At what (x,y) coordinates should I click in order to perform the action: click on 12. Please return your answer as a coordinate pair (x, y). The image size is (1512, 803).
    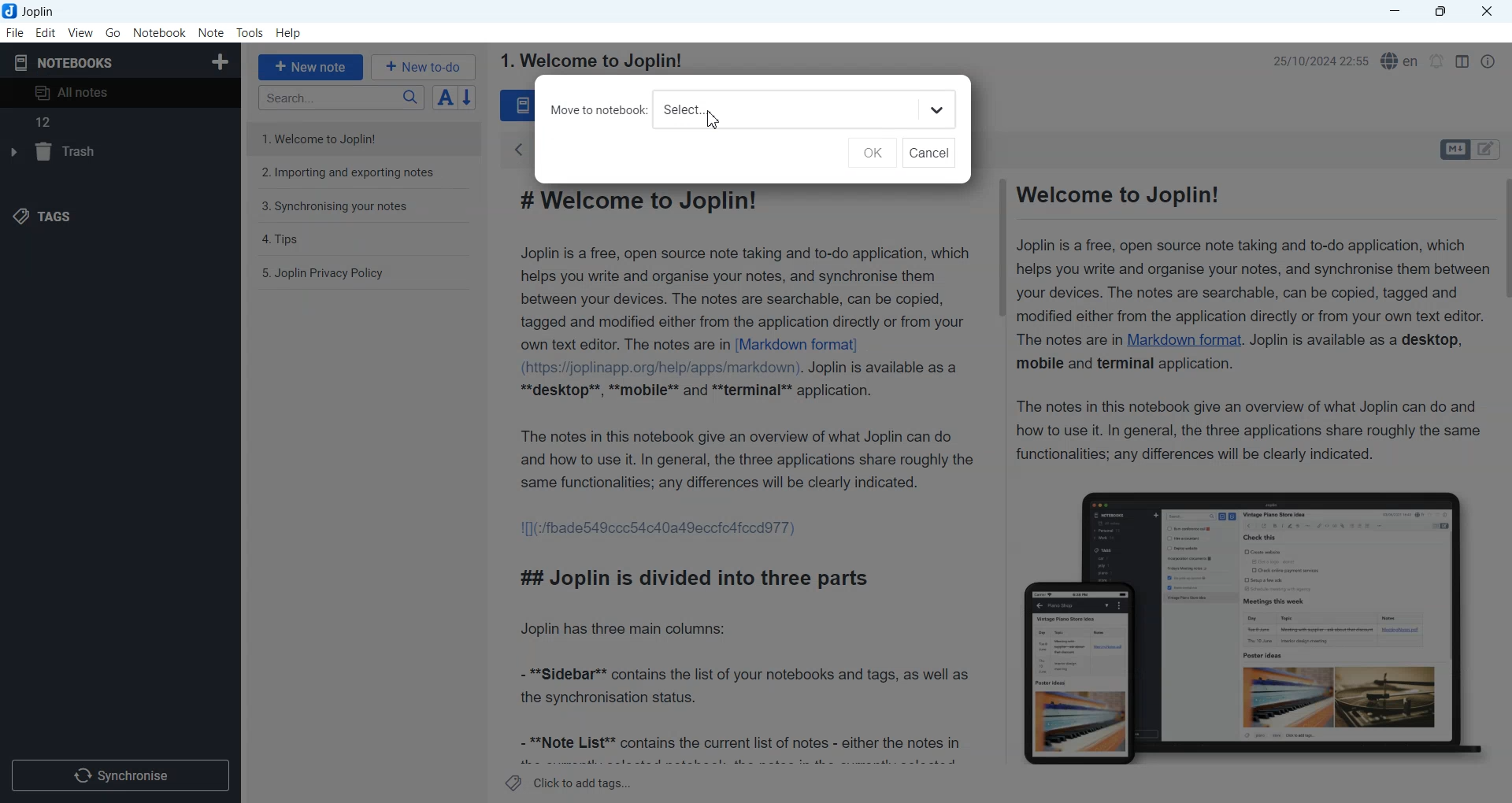
    Looking at the image, I should click on (118, 122).